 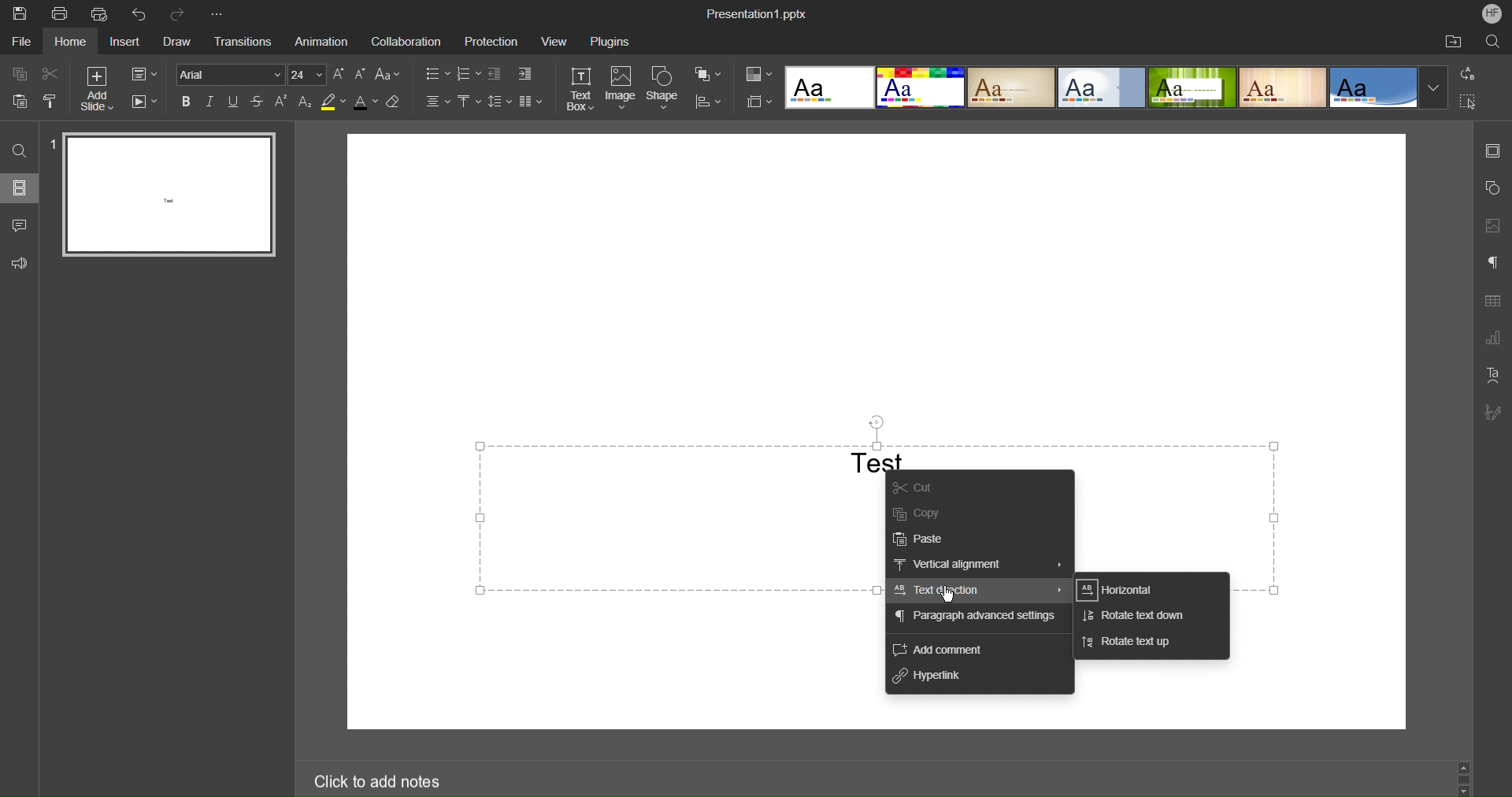 I want to click on Font, so click(x=232, y=74).